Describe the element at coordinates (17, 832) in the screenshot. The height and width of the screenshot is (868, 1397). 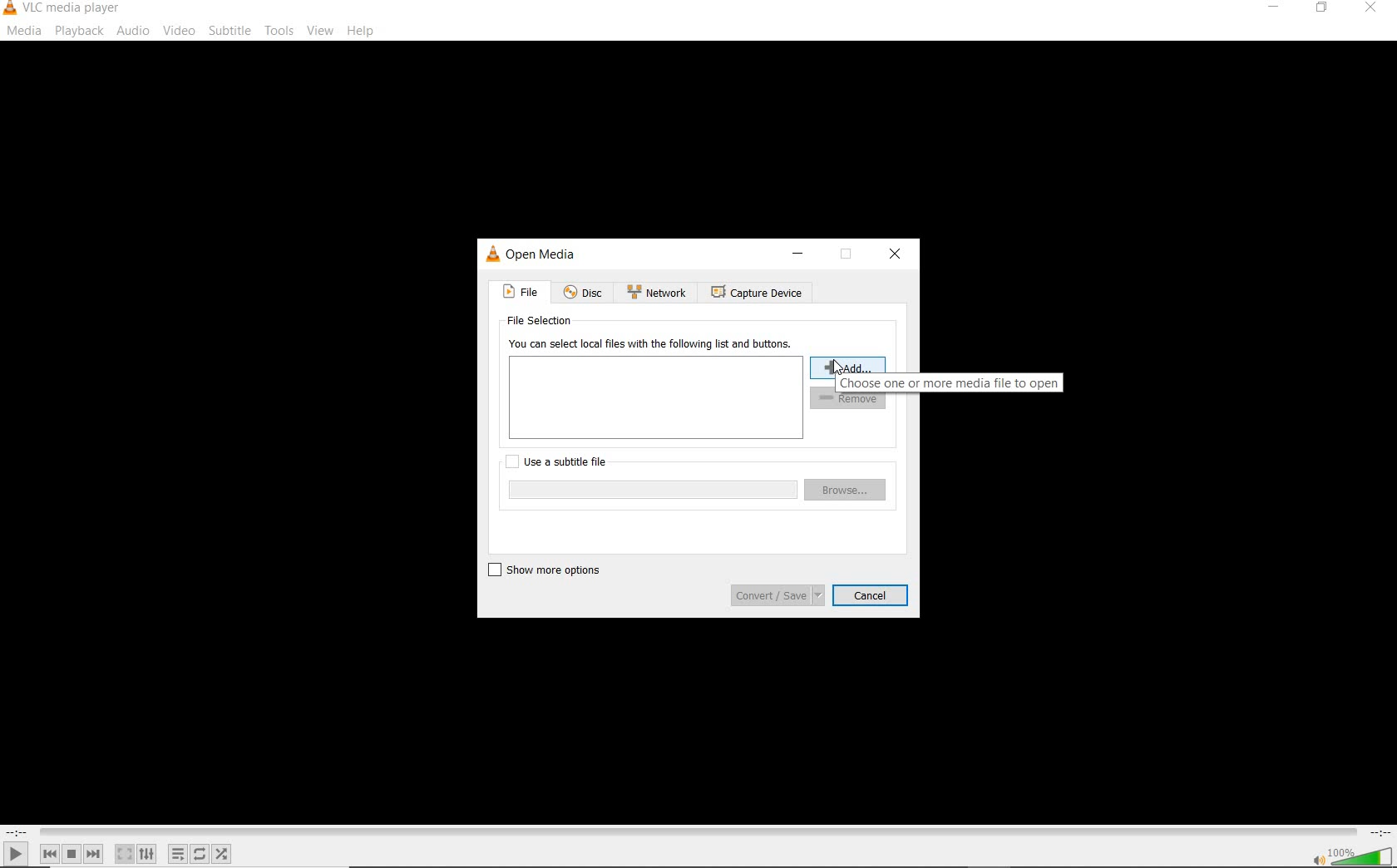
I see `elapsed time` at that location.